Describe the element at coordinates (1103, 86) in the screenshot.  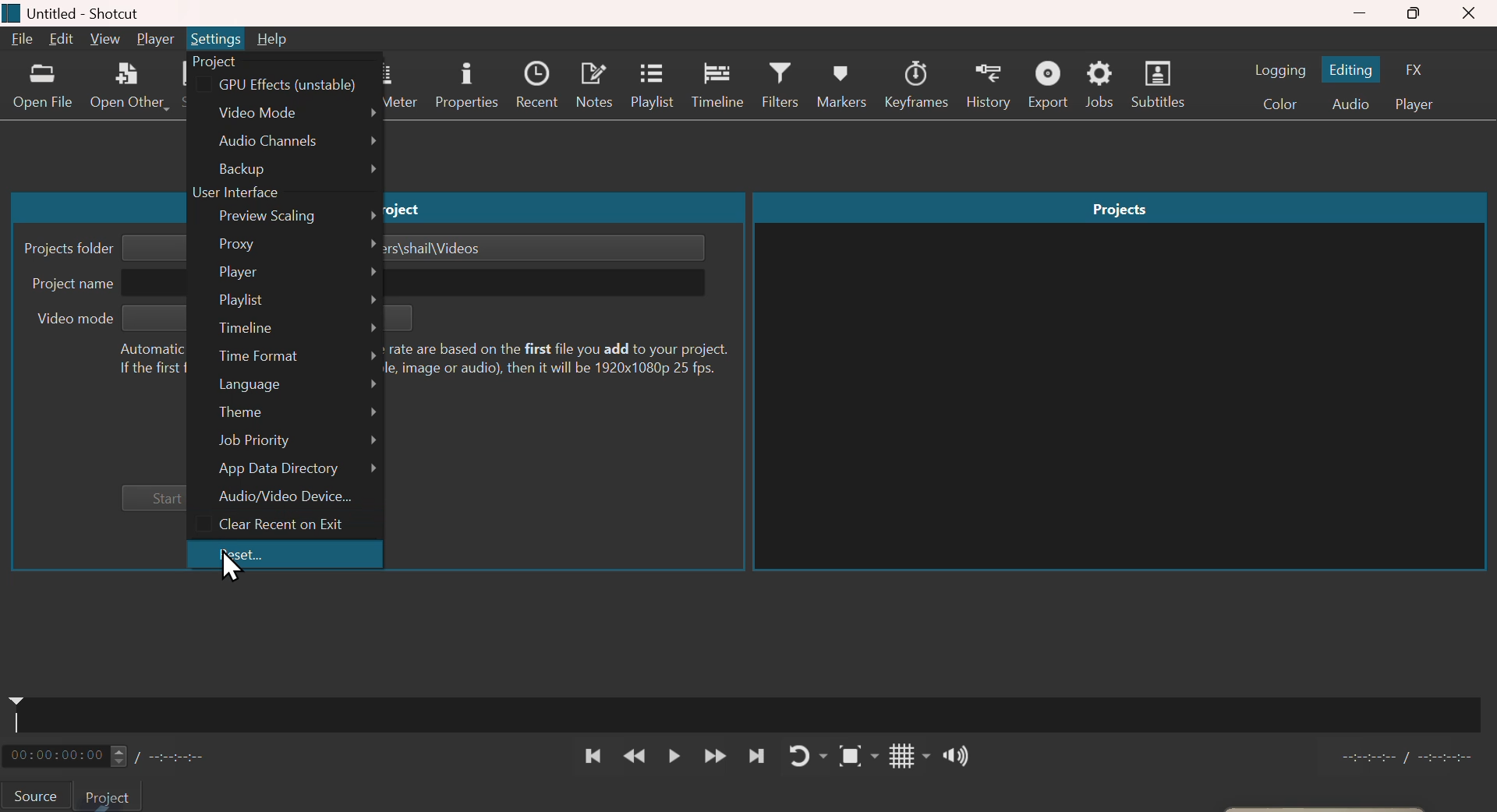
I see `Jobs` at that location.